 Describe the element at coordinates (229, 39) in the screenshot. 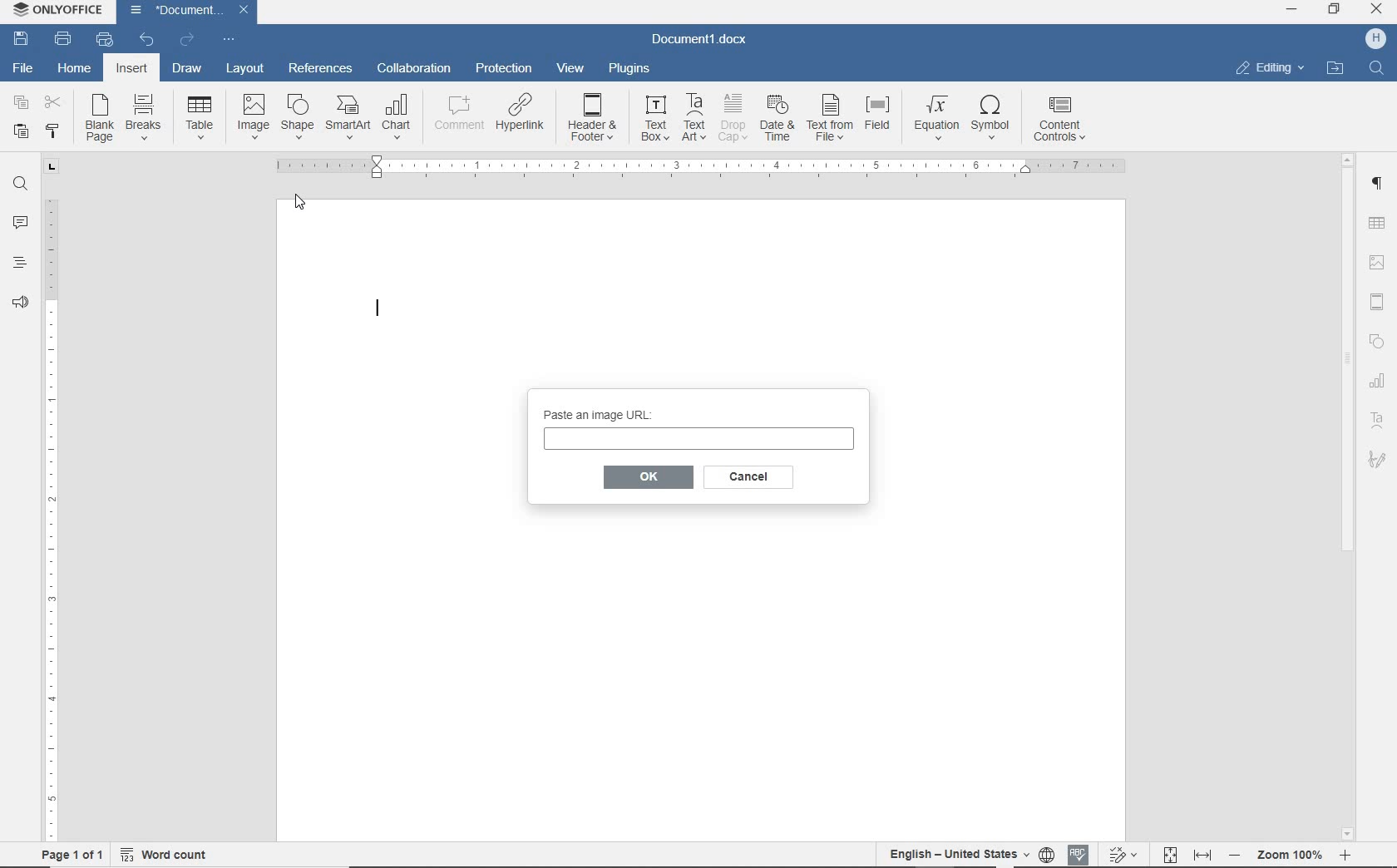

I see `customize quick access toolbar` at that location.